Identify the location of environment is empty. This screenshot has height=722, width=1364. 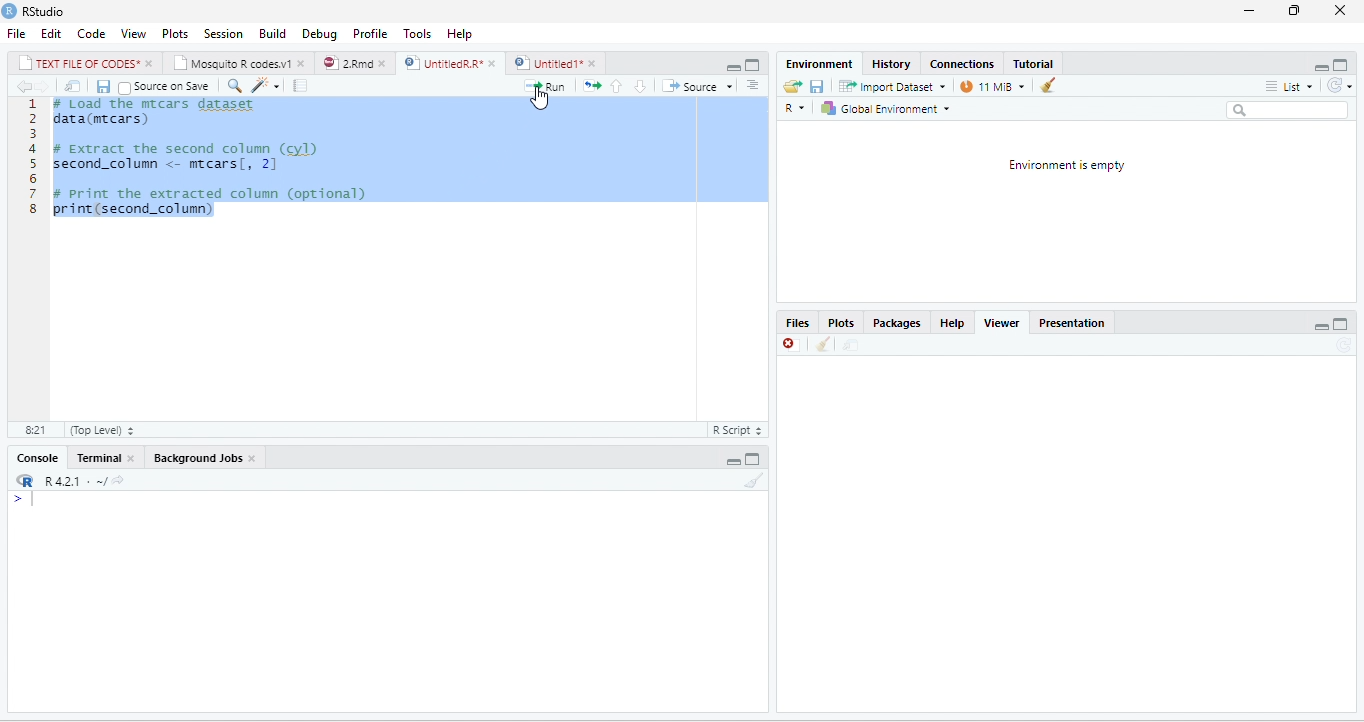
(1070, 210).